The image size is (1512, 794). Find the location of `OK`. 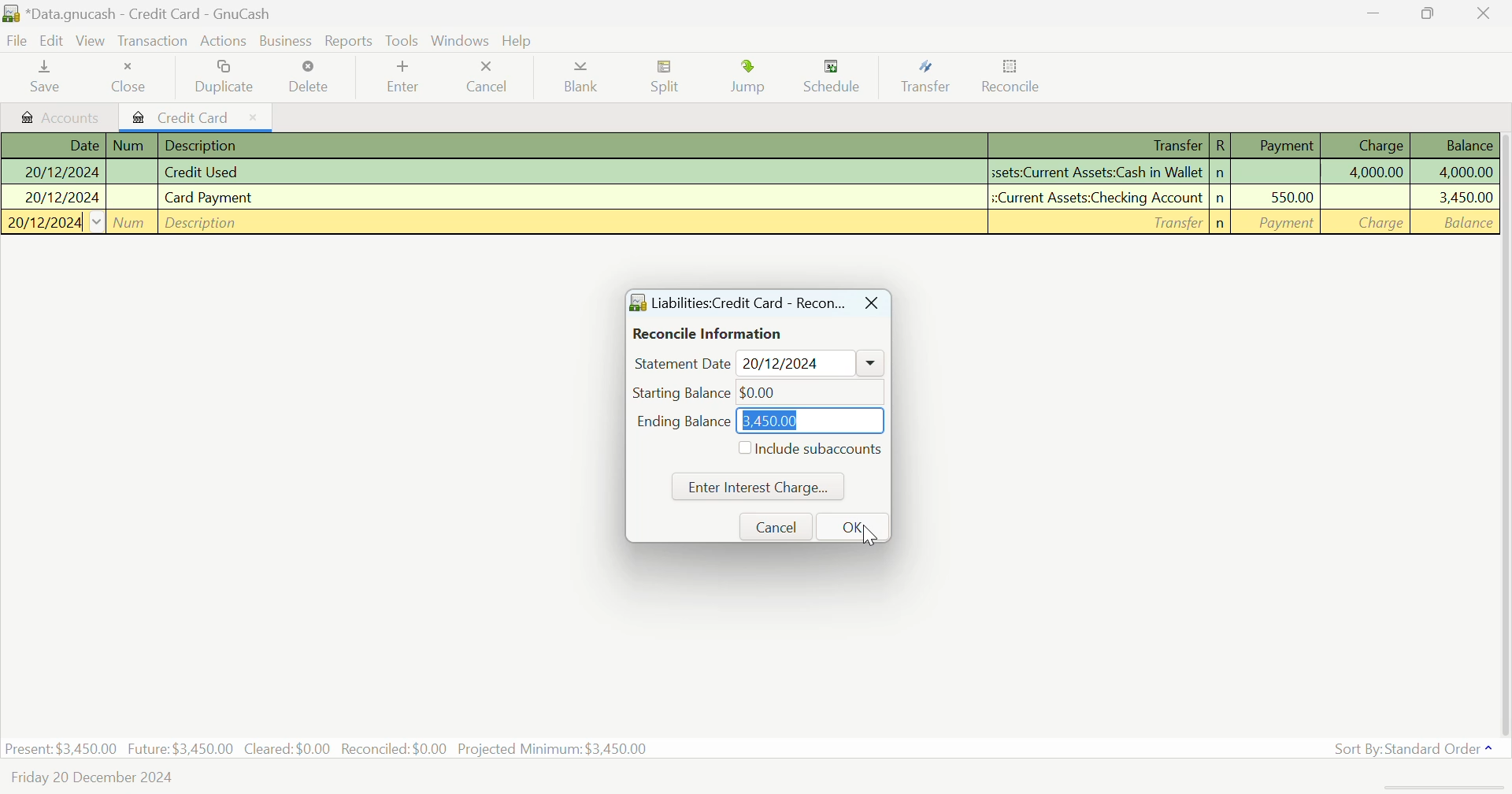

OK is located at coordinates (854, 526).